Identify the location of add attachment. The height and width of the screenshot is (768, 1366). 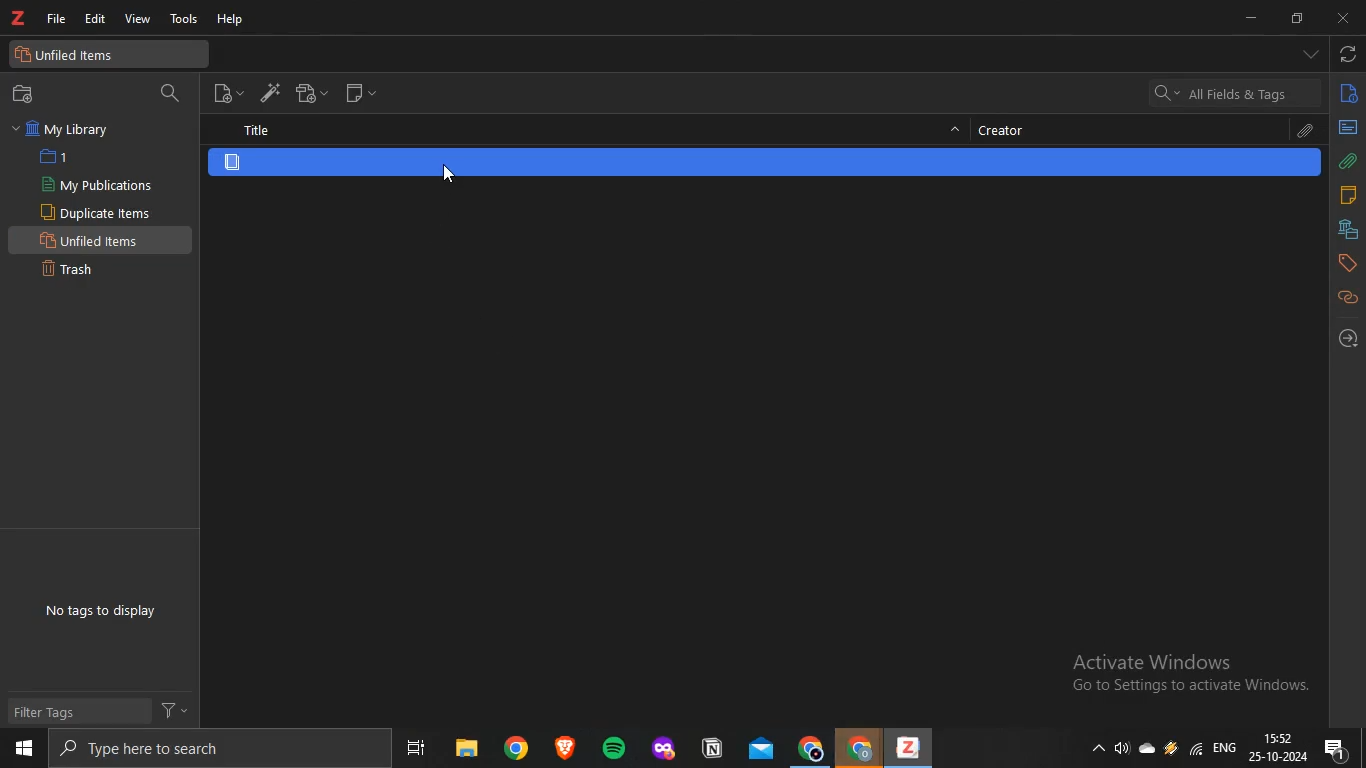
(313, 93).